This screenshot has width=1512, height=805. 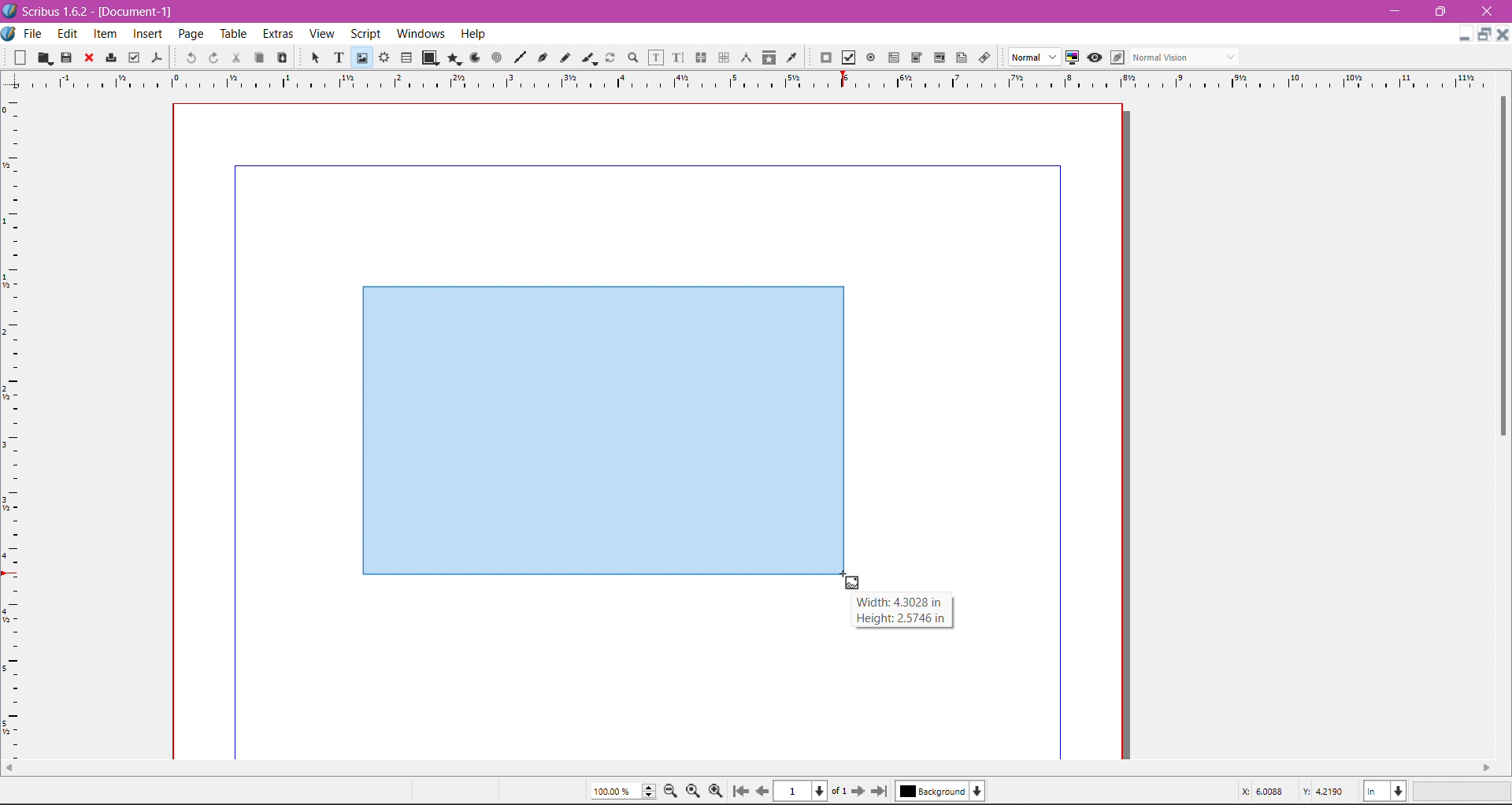 What do you see at coordinates (917, 57) in the screenshot?
I see `PDF Combo Box` at bounding box center [917, 57].